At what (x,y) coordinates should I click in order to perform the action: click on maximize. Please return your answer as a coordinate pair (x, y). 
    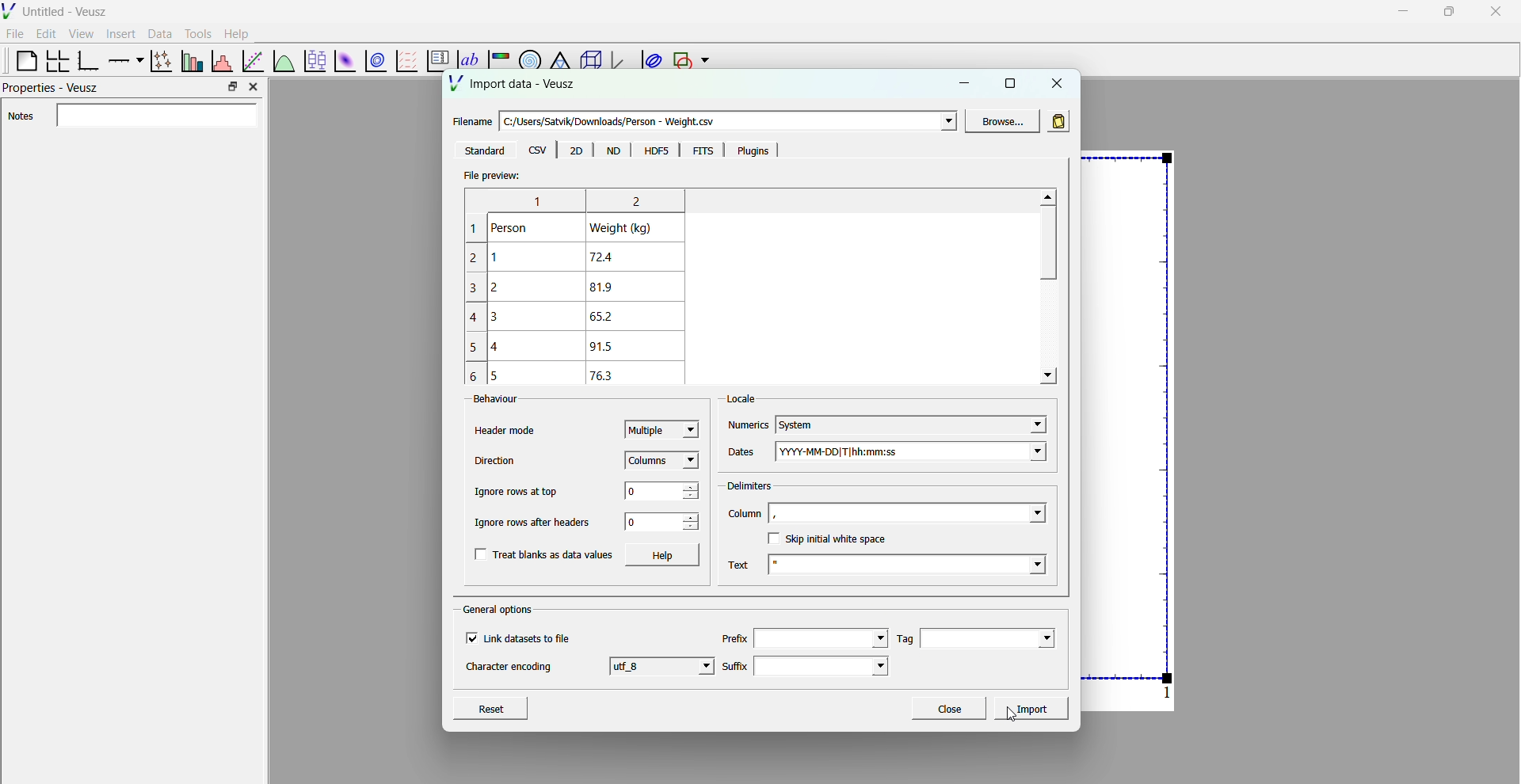
    Looking at the image, I should click on (1447, 10).